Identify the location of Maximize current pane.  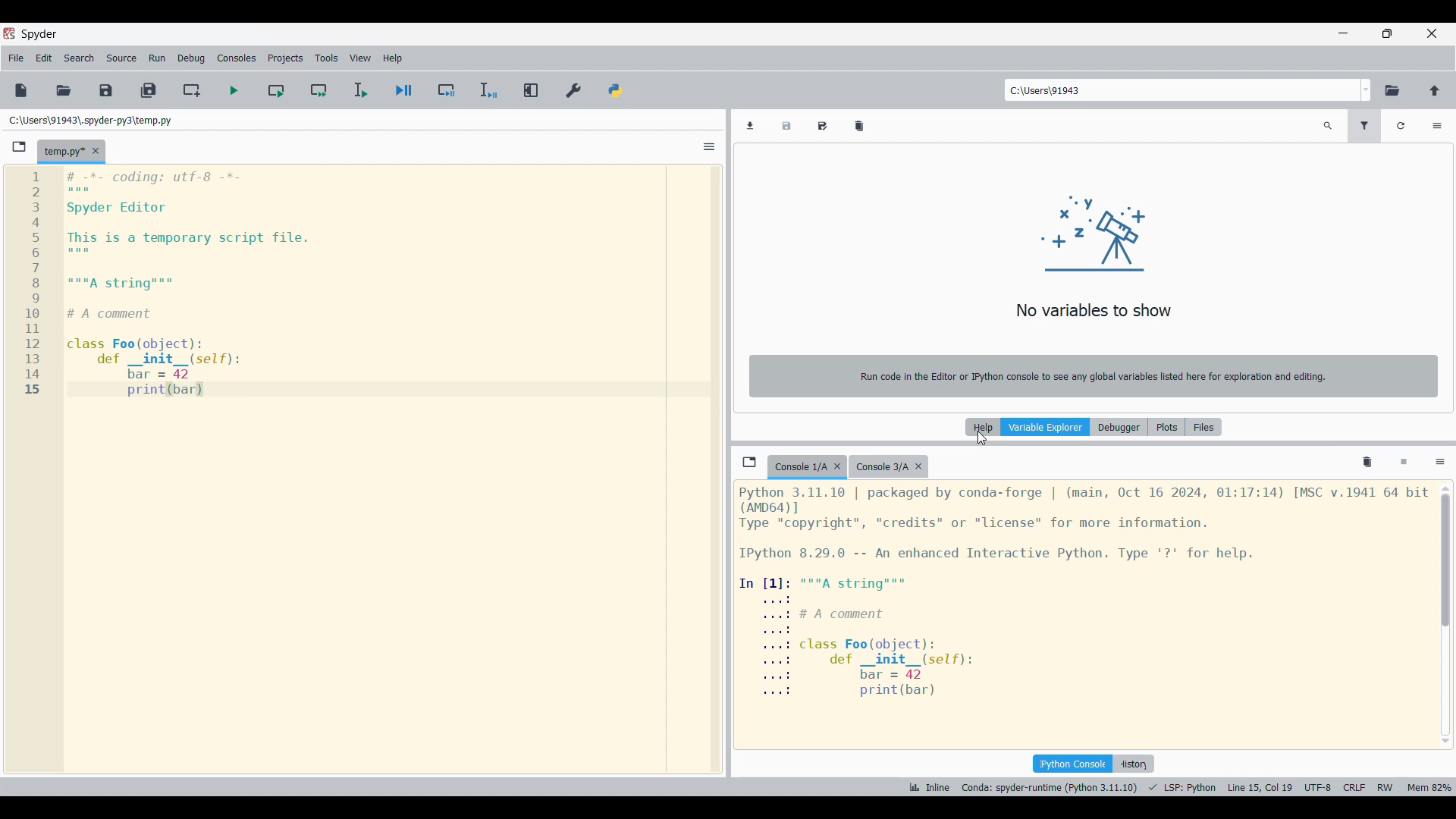
(532, 90).